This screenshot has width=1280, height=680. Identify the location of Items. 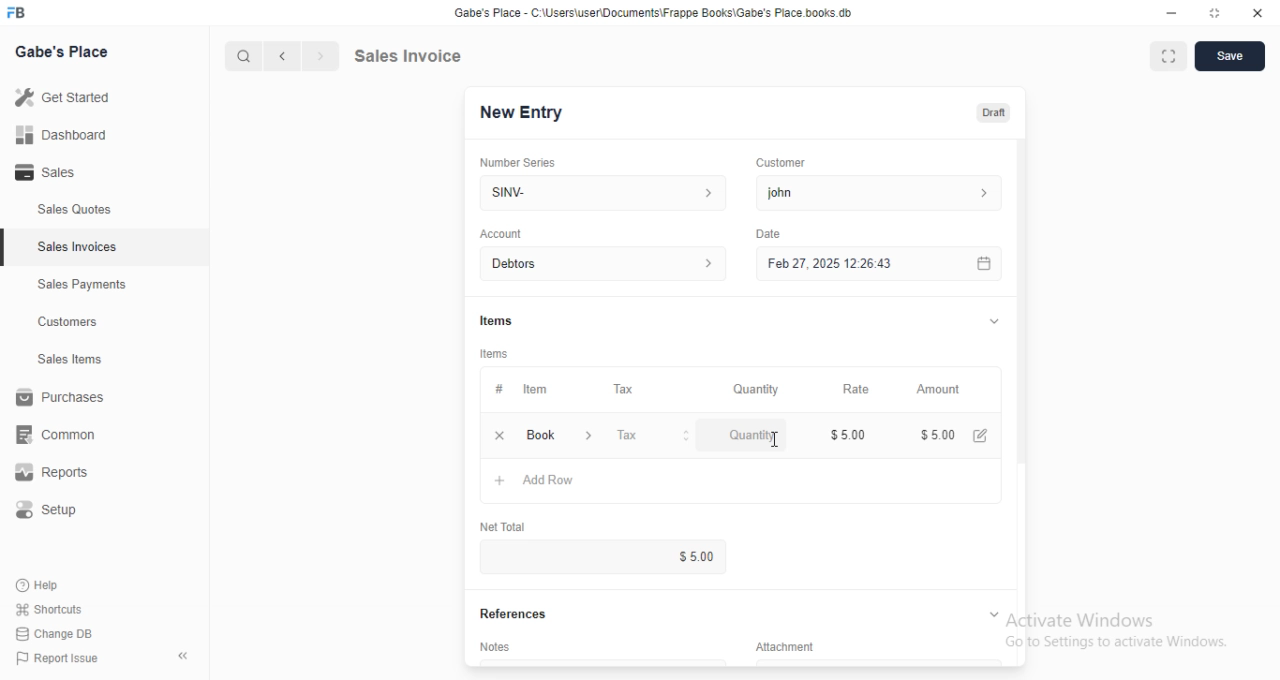
(496, 352).